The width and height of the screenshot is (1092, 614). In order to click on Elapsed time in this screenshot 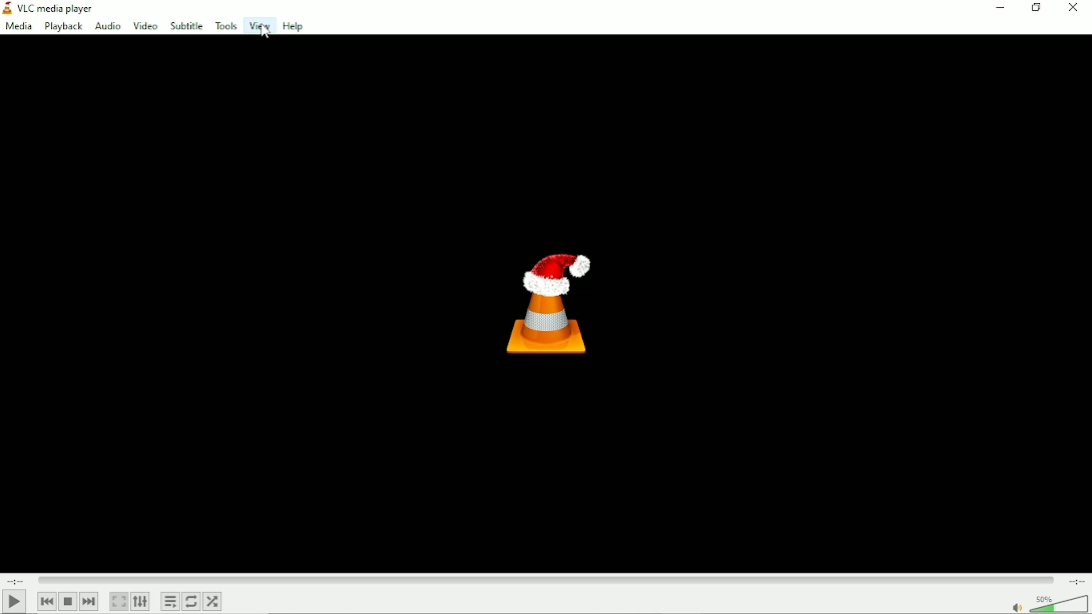, I will do `click(15, 579)`.